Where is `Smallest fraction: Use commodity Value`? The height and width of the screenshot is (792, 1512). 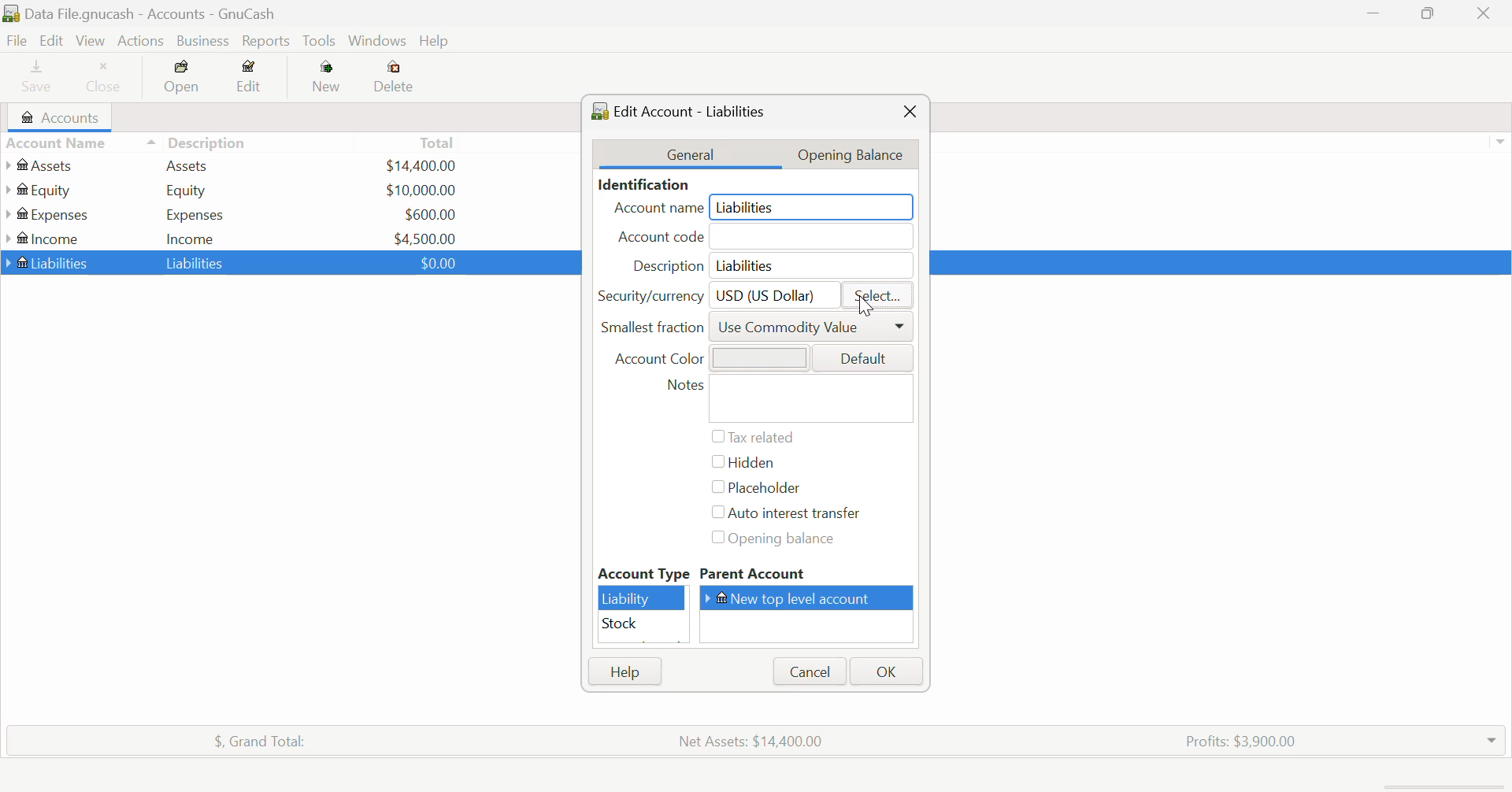 Smallest fraction: Use commodity Value is located at coordinates (757, 331).